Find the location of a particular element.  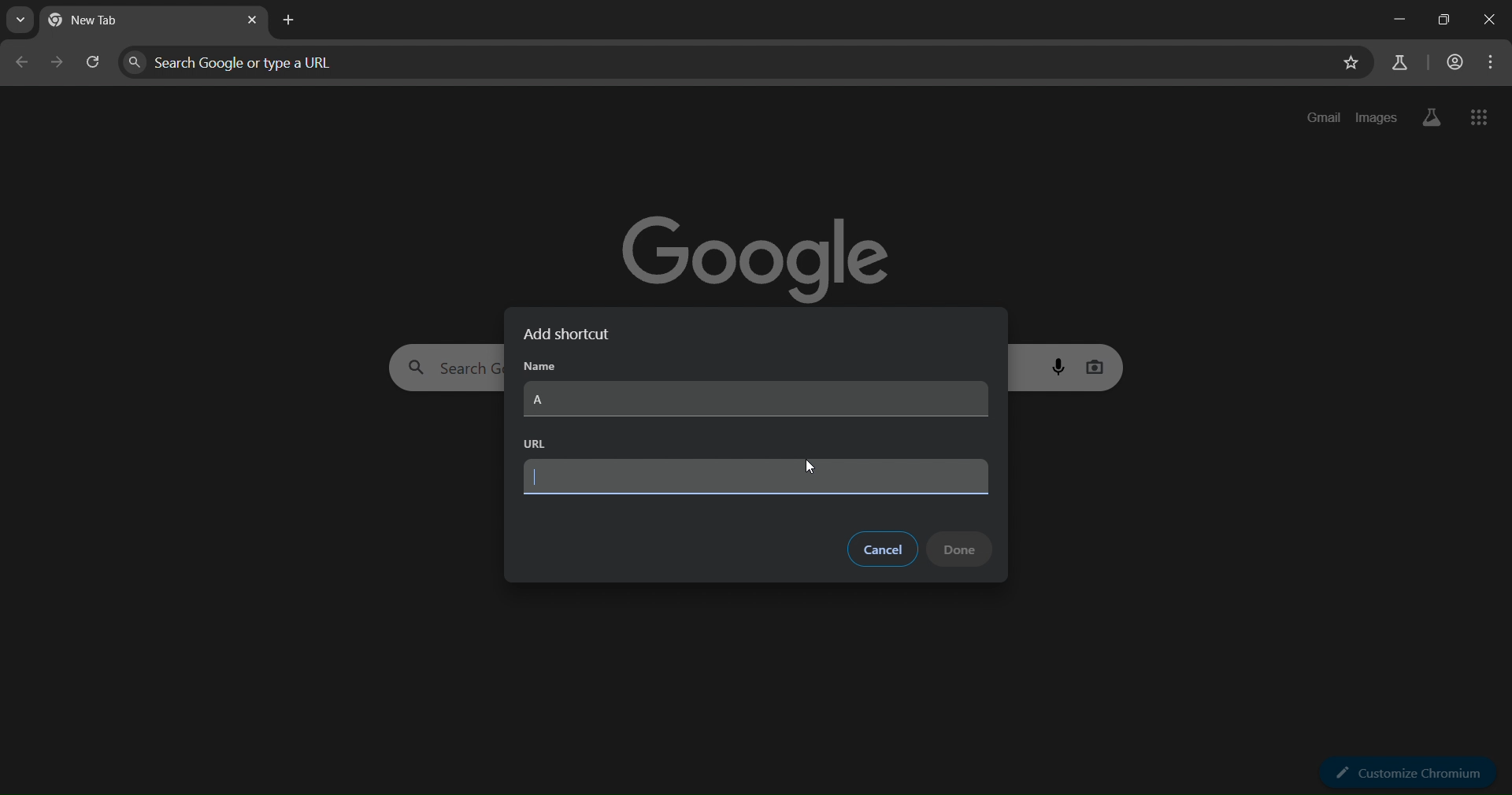

gmail is located at coordinates (1325, 117).